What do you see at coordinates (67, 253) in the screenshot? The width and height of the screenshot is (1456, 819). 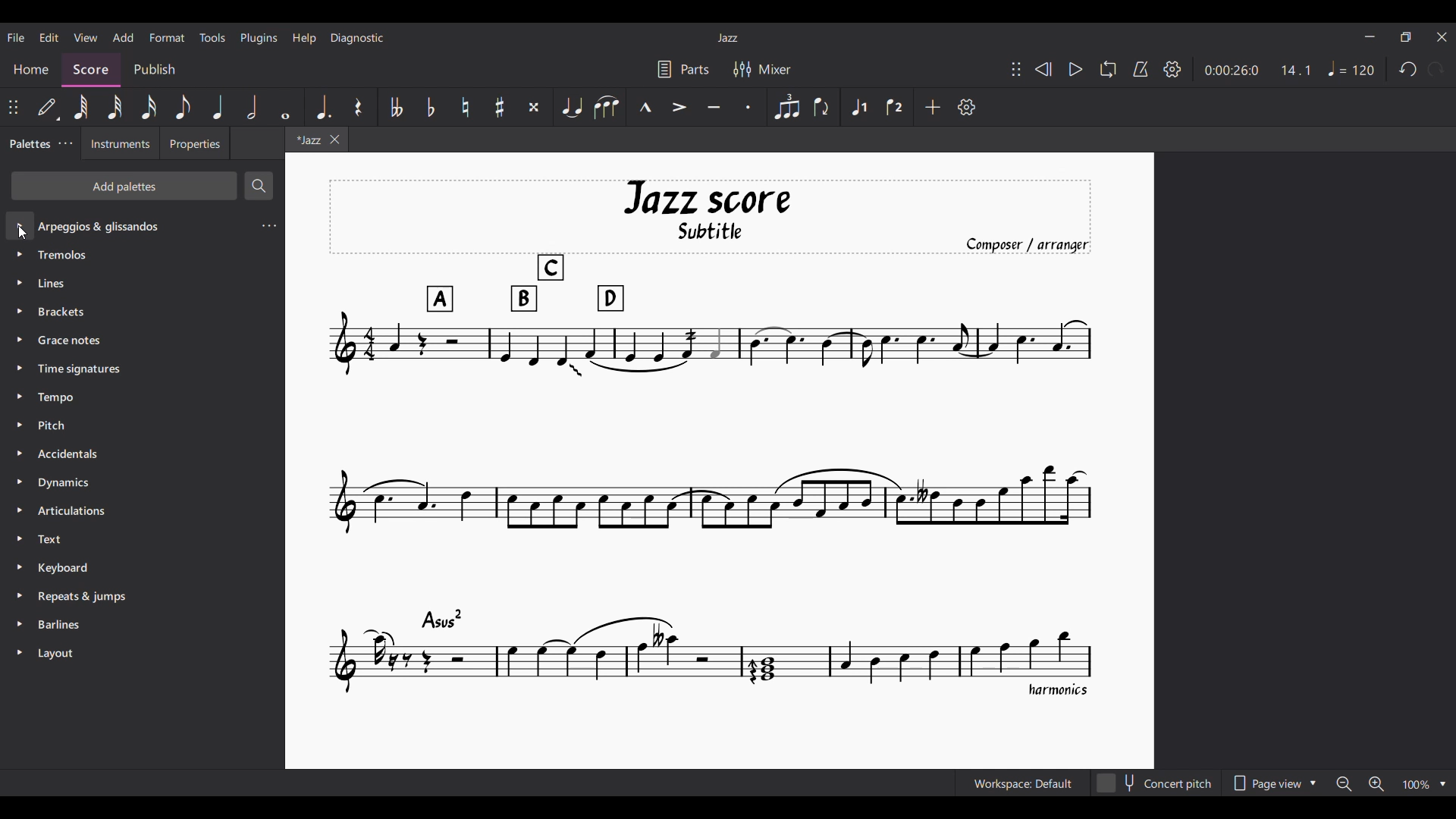 I see `Tremolos` at bounding box center [67, 253].